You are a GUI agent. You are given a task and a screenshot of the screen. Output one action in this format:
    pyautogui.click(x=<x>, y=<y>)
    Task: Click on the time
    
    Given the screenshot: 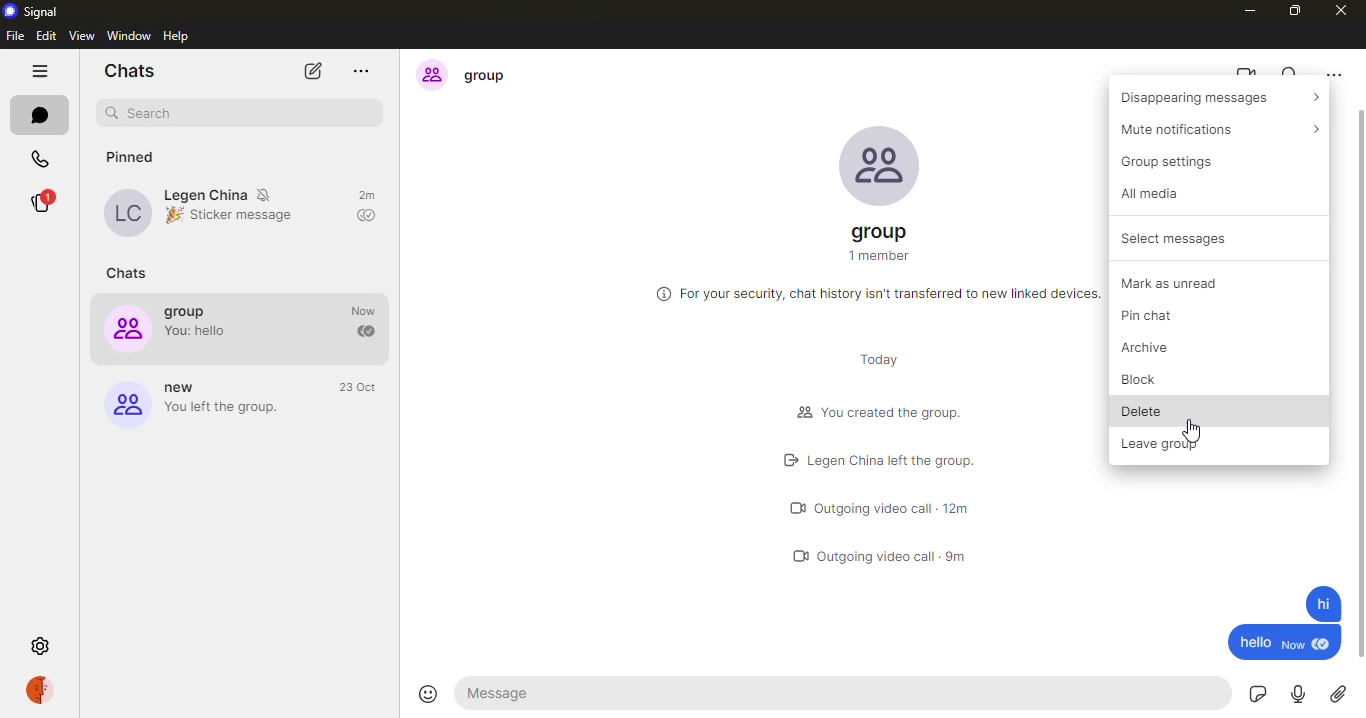 What is the action you would take?
    pyautogui.click(x=361, y=310)
    